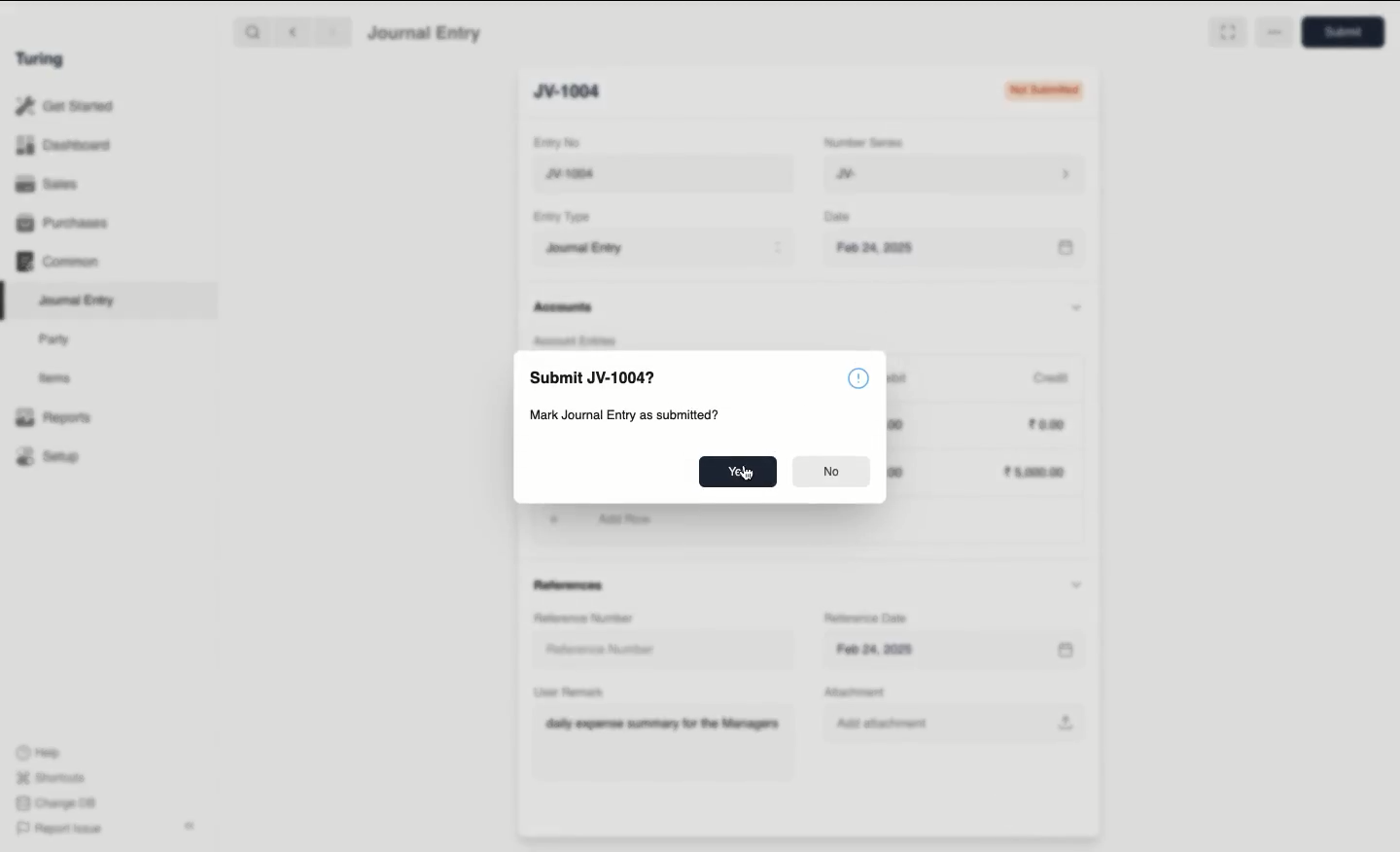 The image size is (1400, 852). What do you see at coordinates (833, 472) in the screenshot?
I see `No` at bounding box center [833, 472].